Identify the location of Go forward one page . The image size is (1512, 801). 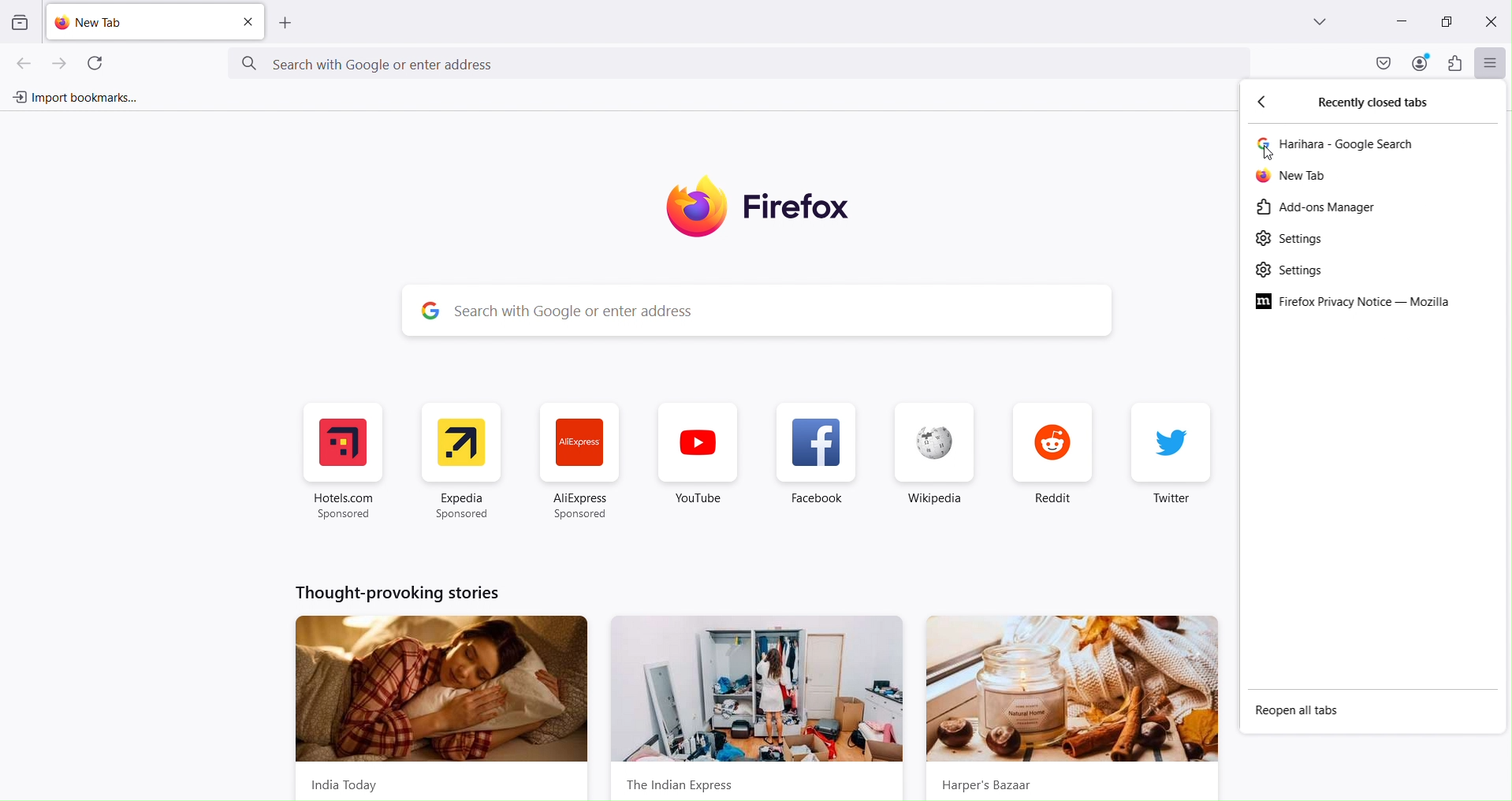
(63, 61).